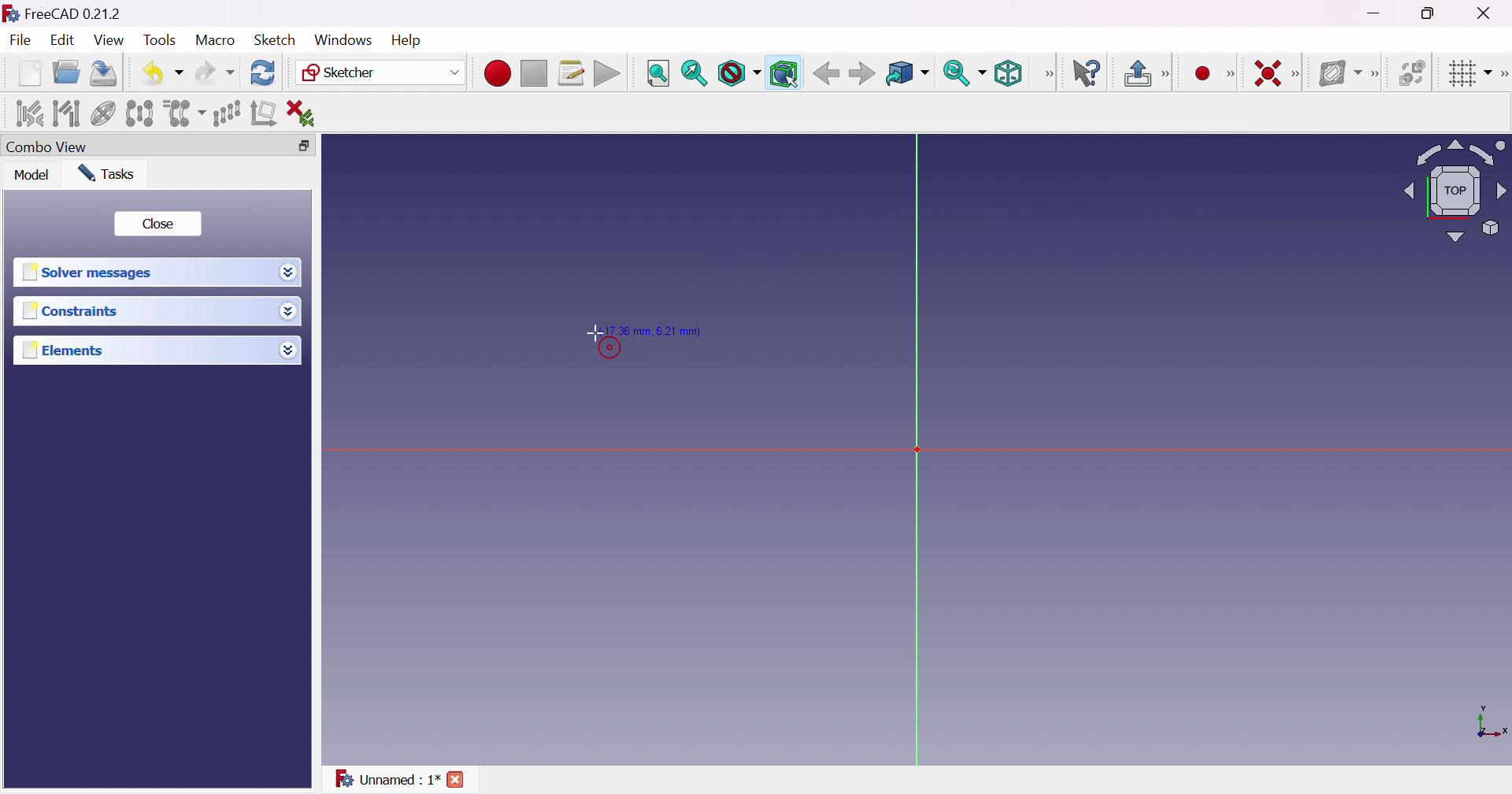 The height and width of the screenshot is (794, 1512). I want to click on [View], so click(1047, 75).